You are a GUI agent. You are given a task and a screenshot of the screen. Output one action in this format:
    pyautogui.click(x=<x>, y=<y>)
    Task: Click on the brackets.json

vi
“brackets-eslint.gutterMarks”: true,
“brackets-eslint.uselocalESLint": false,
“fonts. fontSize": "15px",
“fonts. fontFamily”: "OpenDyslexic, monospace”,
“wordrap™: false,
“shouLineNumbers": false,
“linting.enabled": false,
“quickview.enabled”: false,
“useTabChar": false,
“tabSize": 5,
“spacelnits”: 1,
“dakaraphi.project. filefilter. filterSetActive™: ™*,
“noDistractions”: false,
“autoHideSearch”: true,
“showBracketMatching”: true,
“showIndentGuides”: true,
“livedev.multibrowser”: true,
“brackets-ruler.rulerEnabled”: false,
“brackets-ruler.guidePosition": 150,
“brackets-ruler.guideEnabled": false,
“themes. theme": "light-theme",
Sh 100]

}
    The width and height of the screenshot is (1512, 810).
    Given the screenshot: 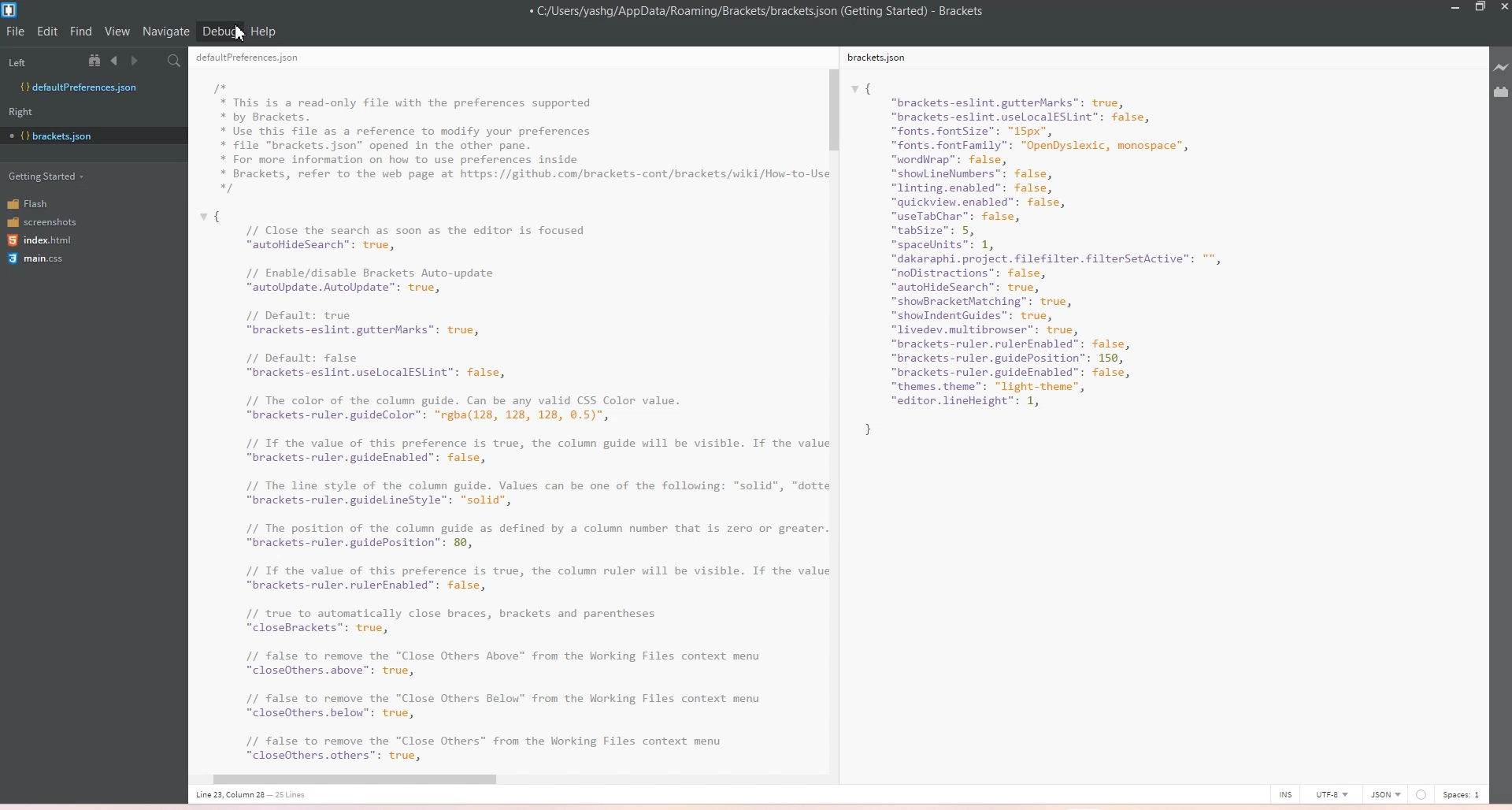 What is the action you would take?
    pyautogui.click(x=1068, y=259)
    